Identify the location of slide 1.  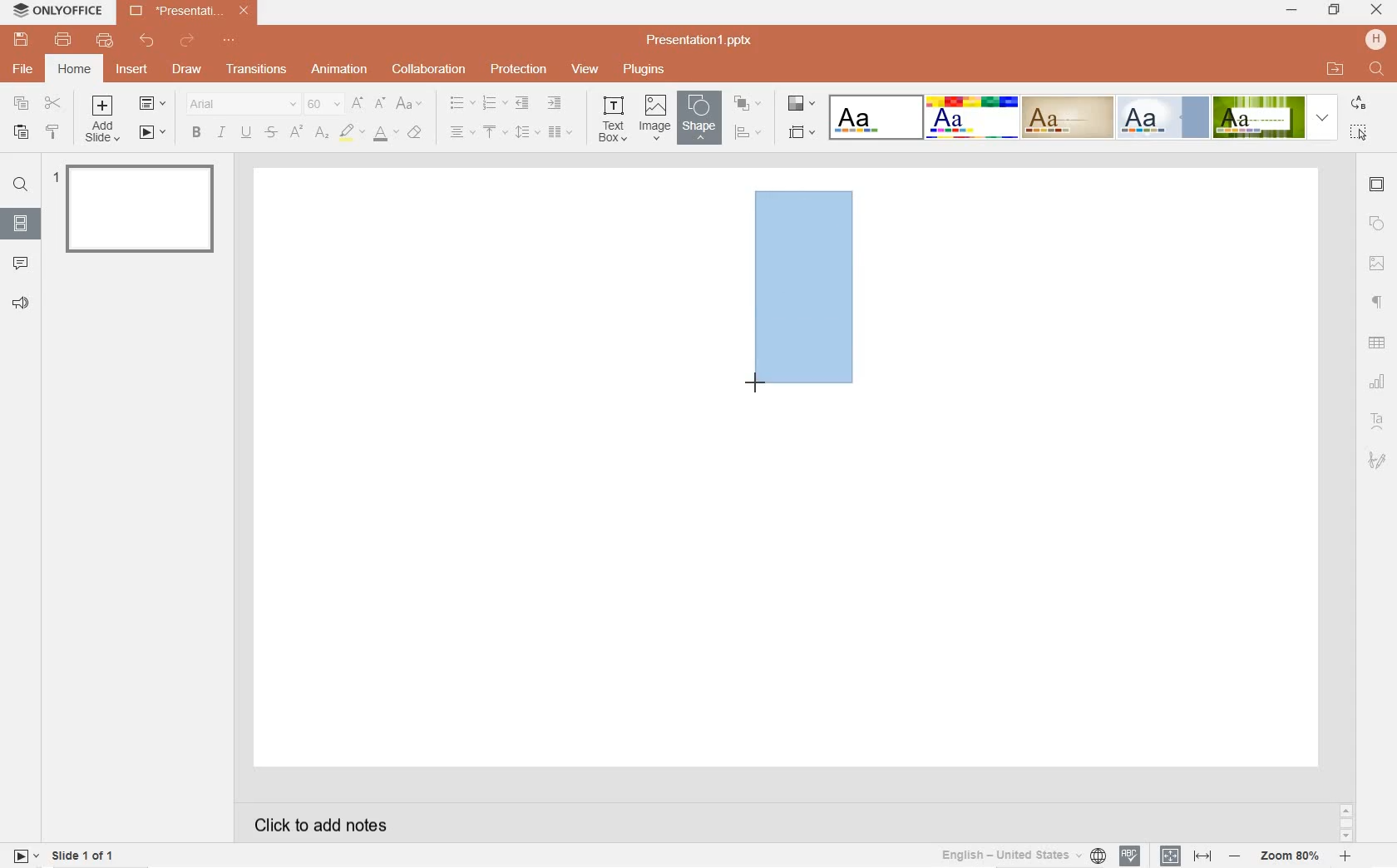
(138, 207).